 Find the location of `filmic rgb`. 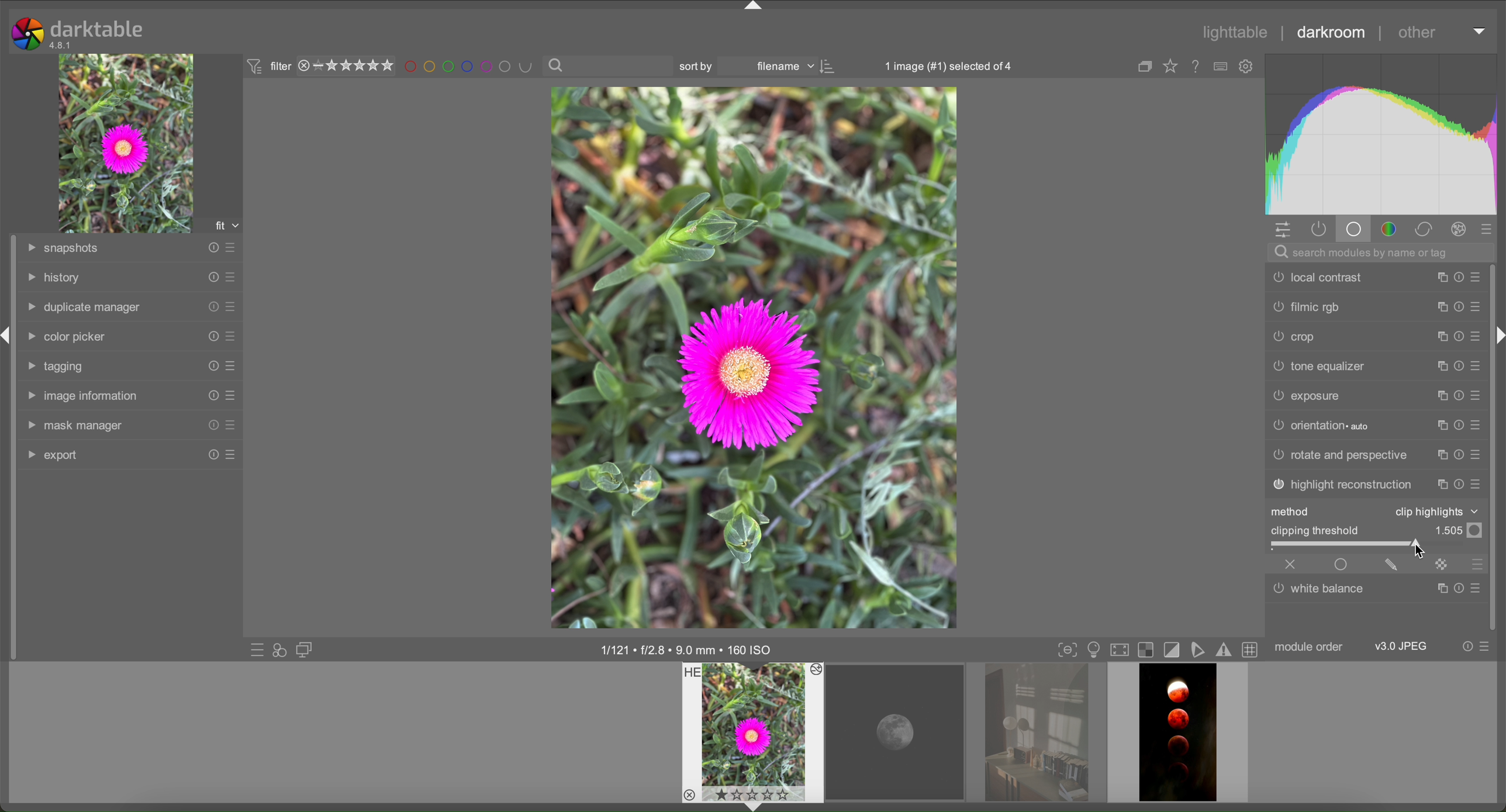

filmic rgb is located at coordinates (1306, 307).